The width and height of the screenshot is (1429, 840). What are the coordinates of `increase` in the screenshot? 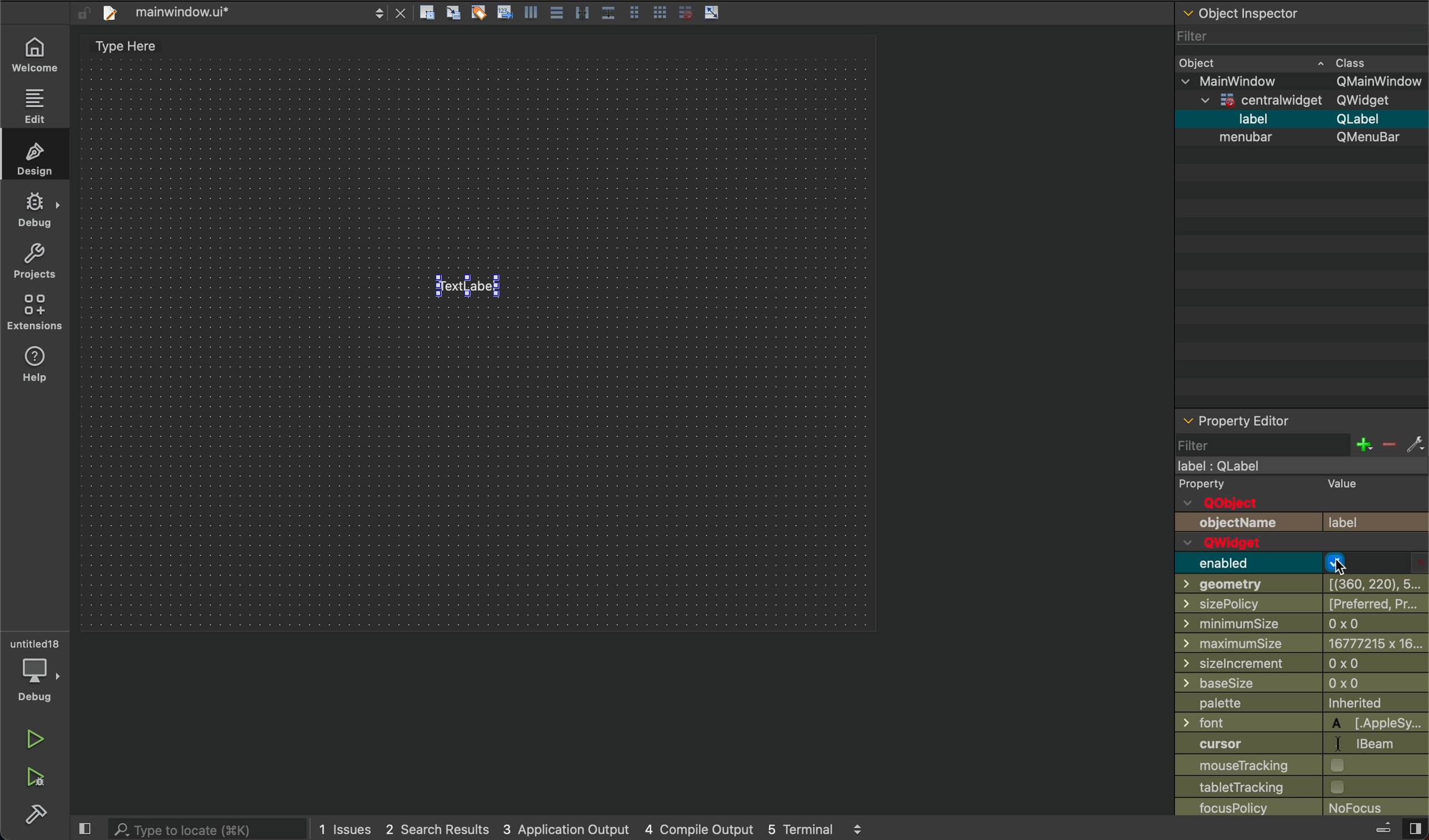 It's located at (1358, 444).